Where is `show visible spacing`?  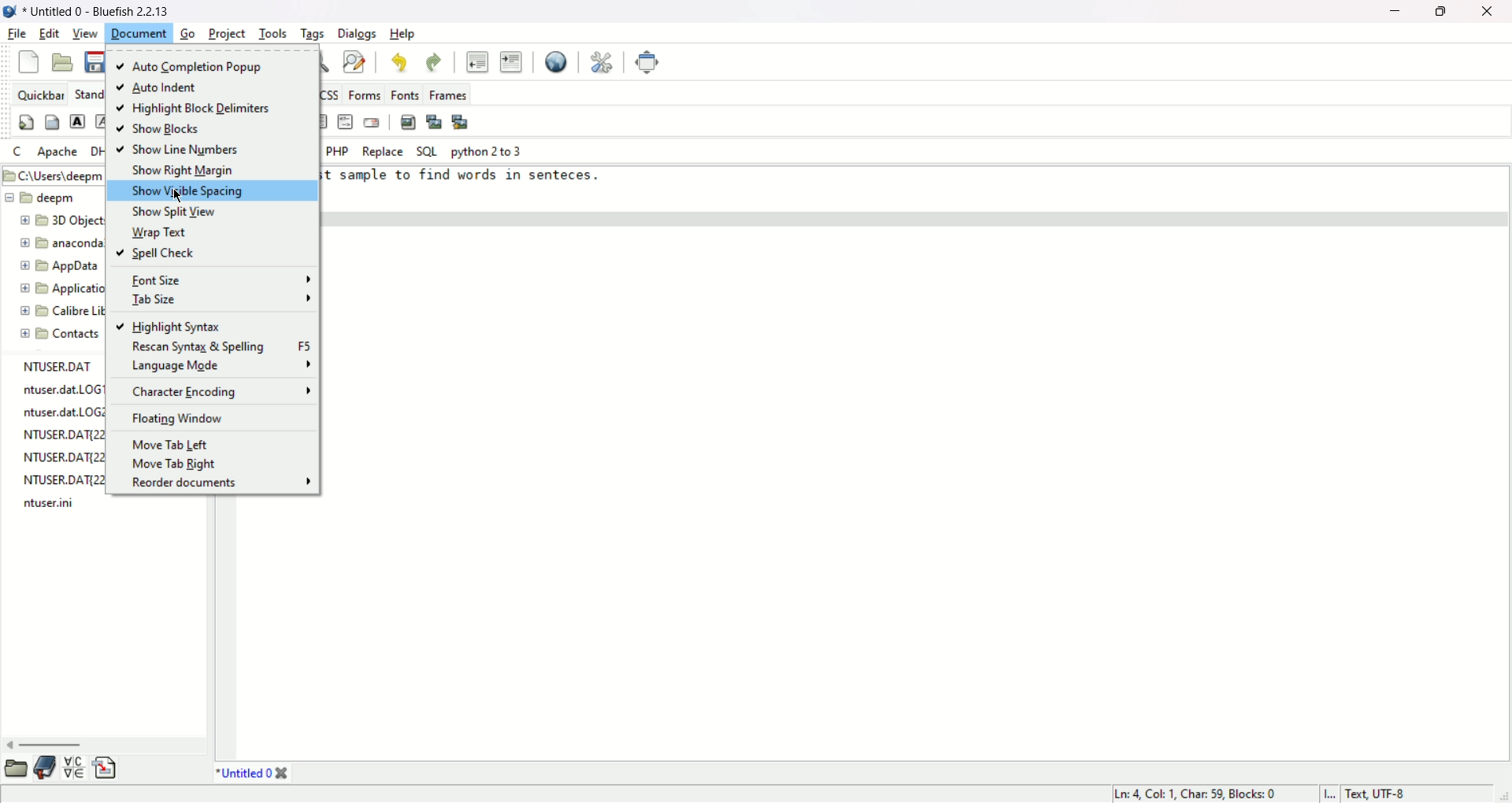 show visible spacing is located at coordinates (213, 191).